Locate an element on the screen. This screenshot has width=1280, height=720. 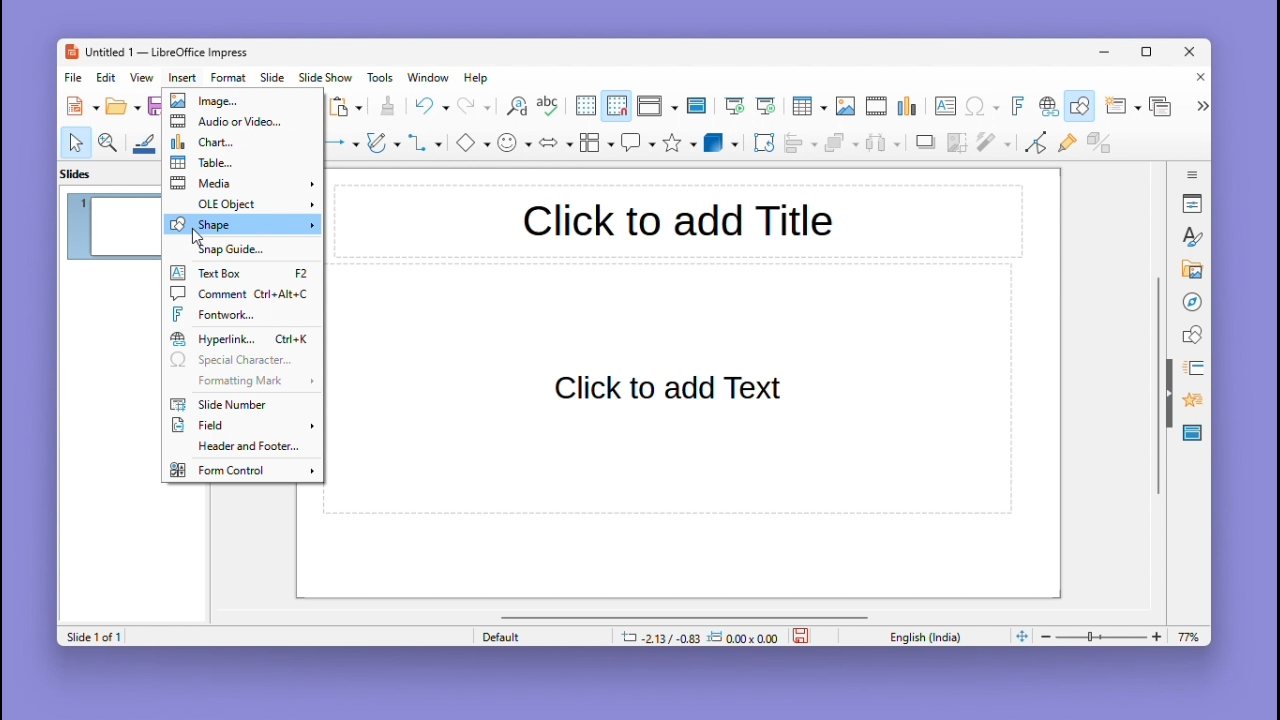
new is located at coordinates (84, 106).